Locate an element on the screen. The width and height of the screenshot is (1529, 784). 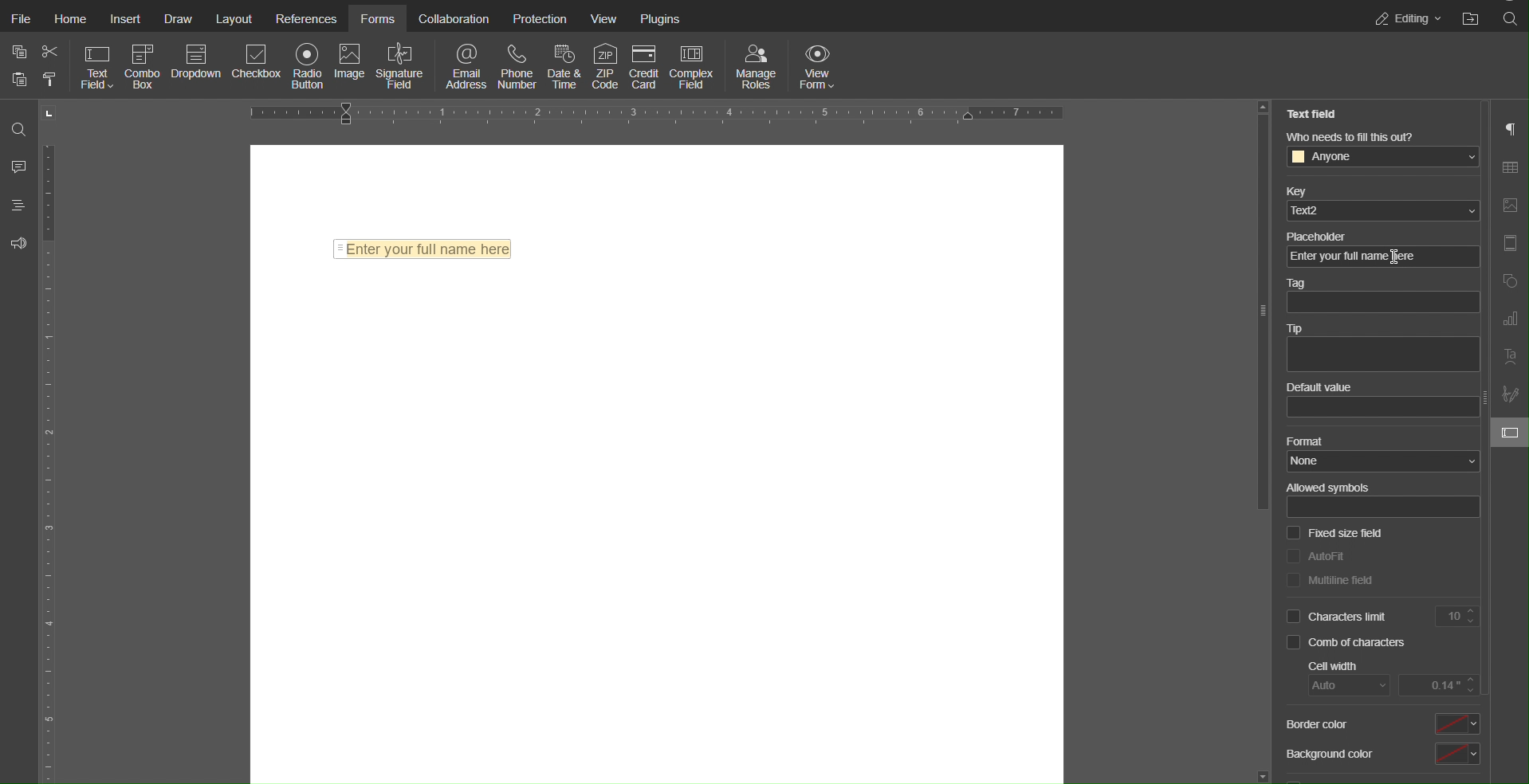
Radio Button is located at coordinates (307, 67).